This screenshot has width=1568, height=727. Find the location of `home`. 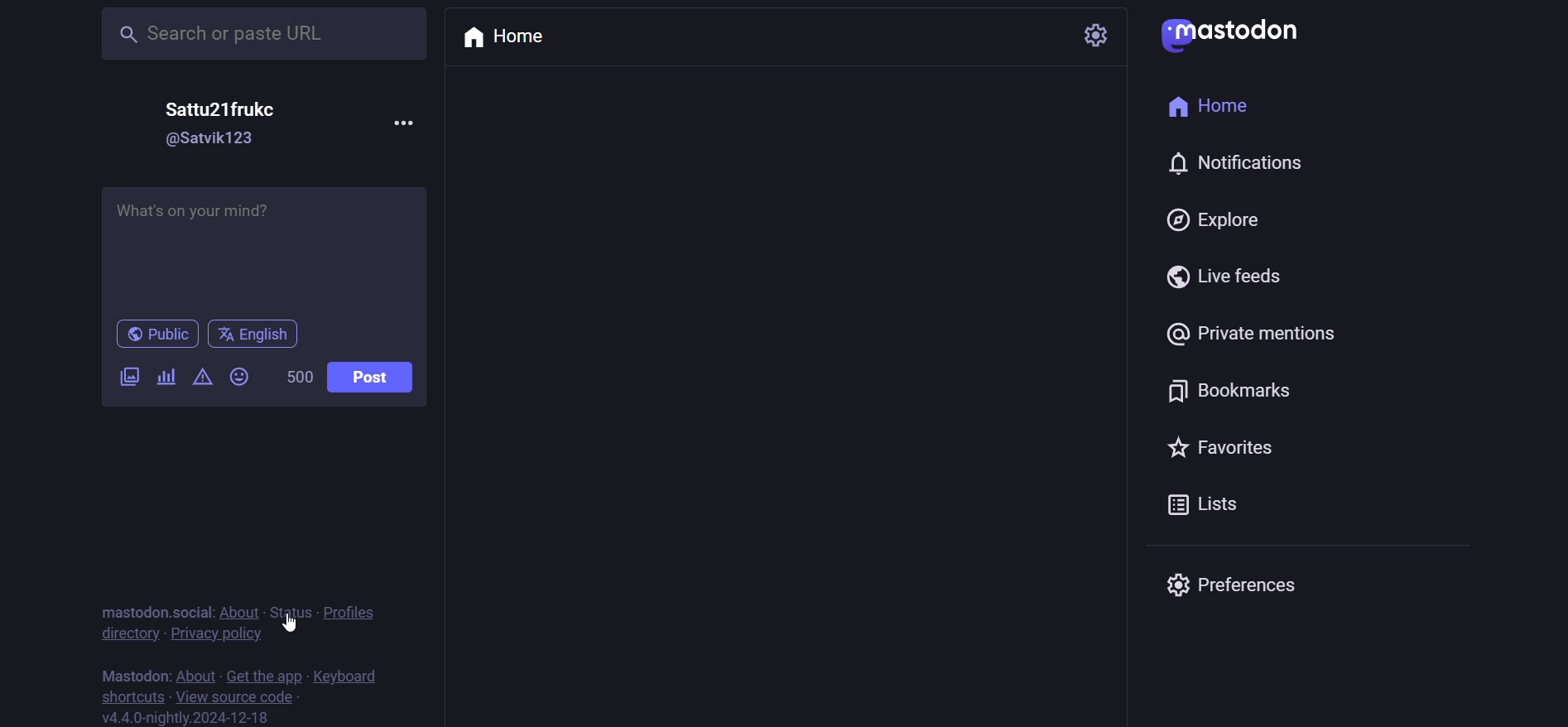

home is located at coordinates (1220, 103).